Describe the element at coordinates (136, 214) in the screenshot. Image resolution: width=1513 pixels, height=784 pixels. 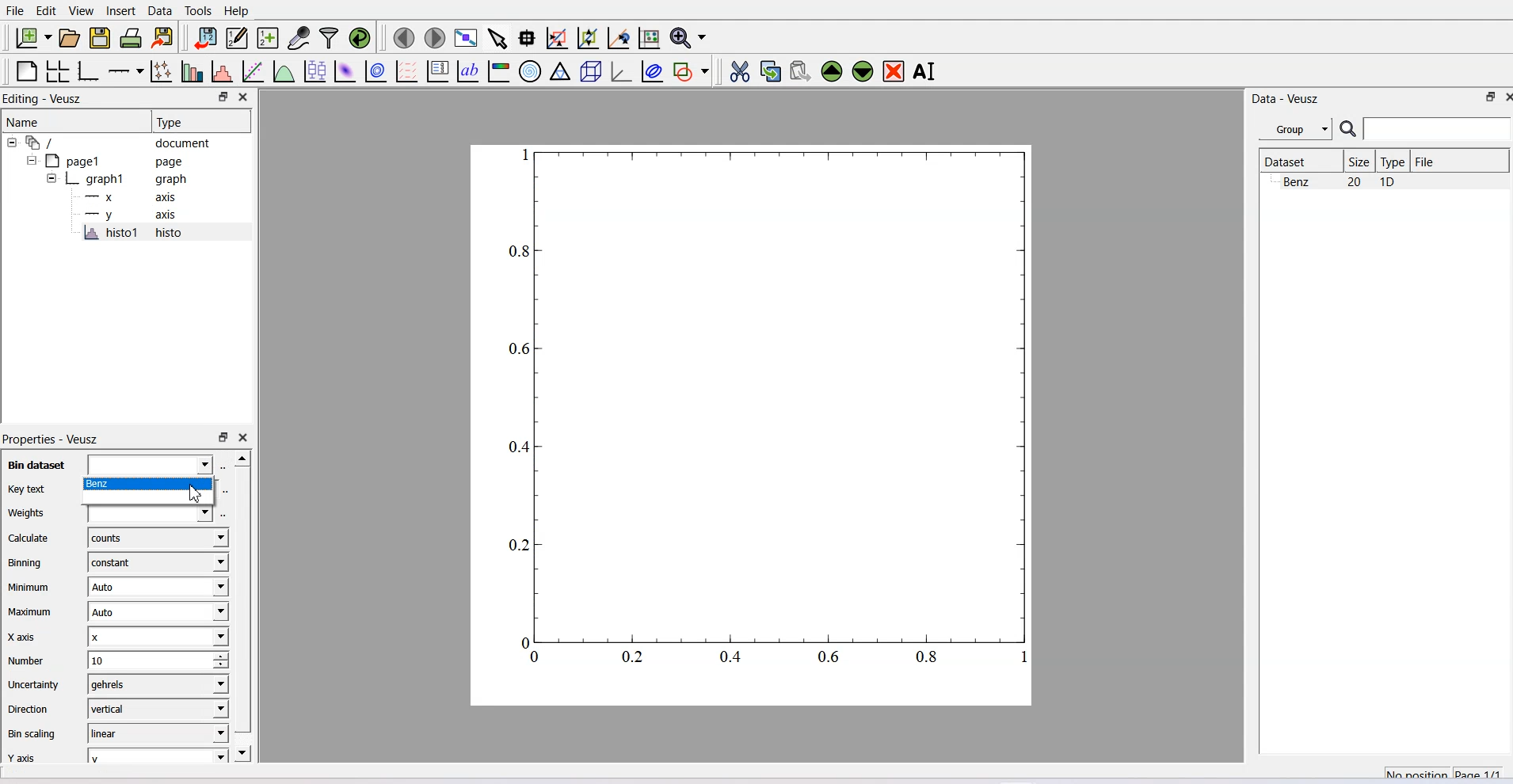
I see `Y Axis` at that location.